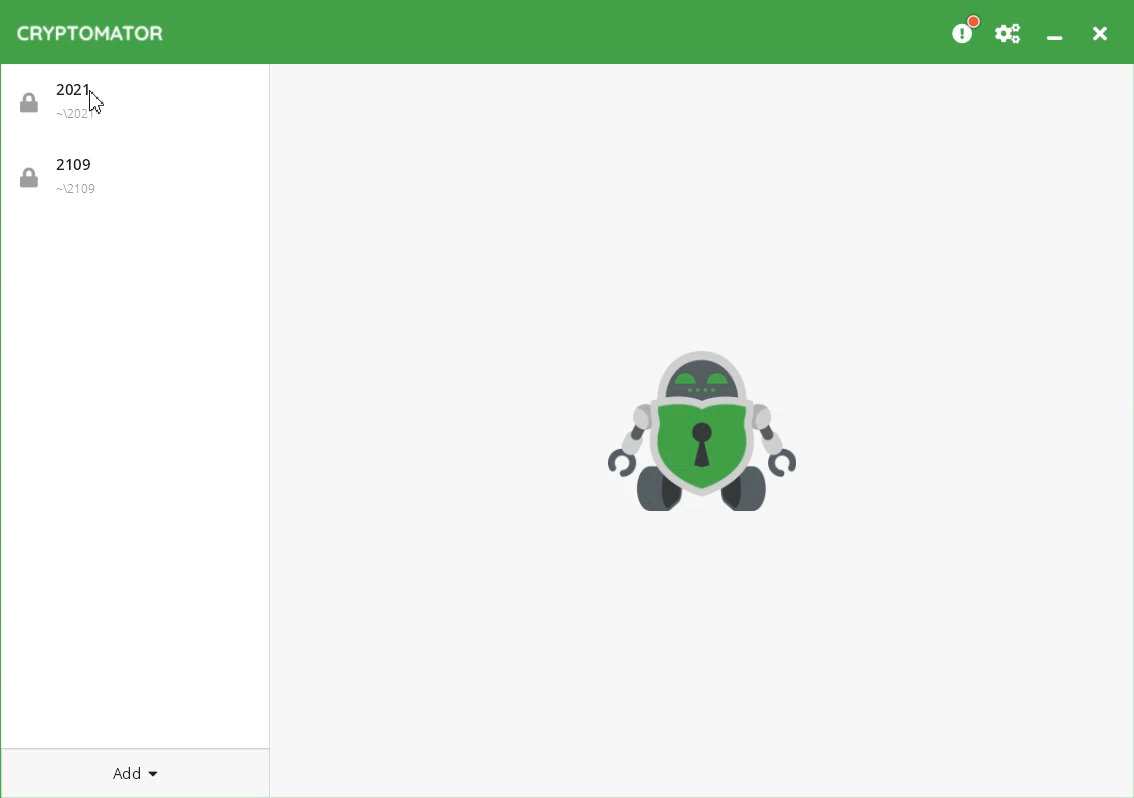  I want to click on Cryptomator , so click(94, 34).